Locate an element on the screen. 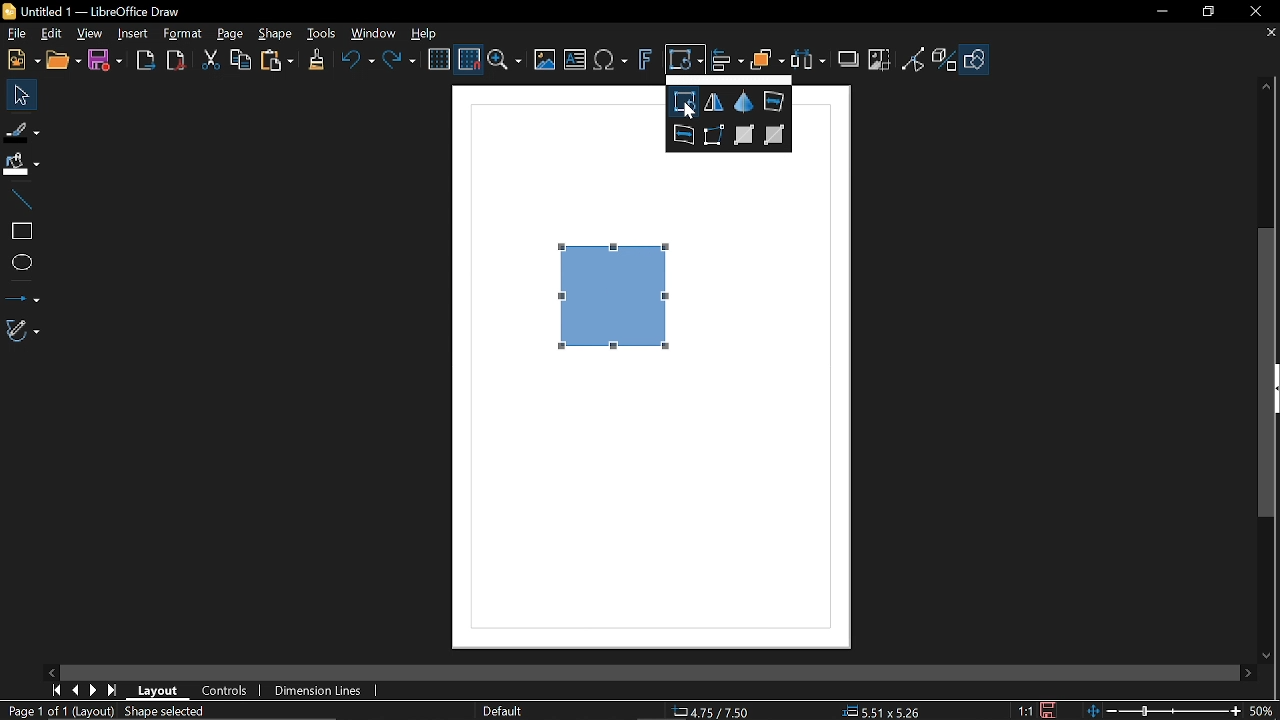 Image resolution: width=1280 pixels, height=720 pixels. Shape is located at coordinates (274, 34).